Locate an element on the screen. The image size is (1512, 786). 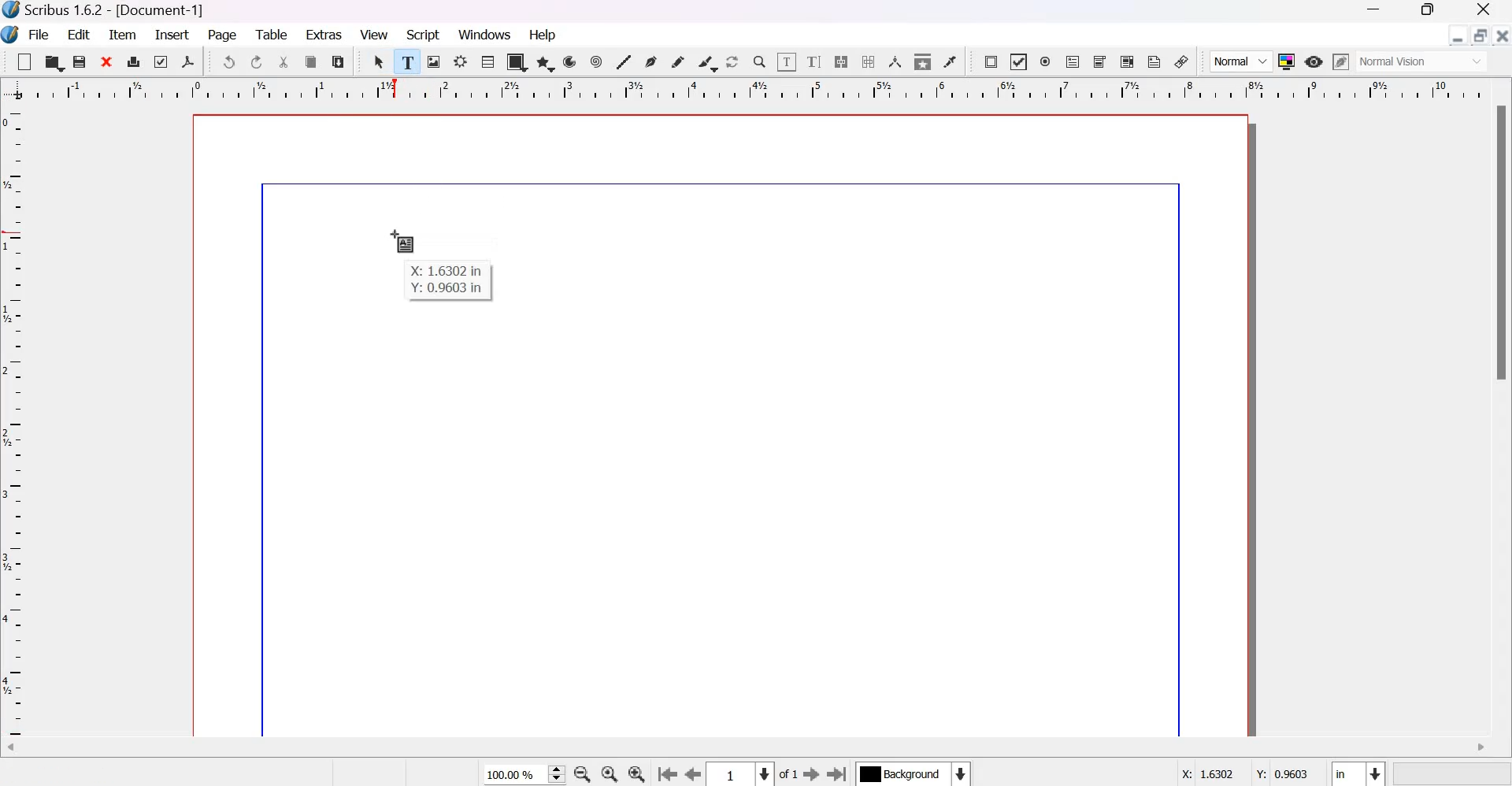
edit text with story editor is located at coordinates (814, 61).